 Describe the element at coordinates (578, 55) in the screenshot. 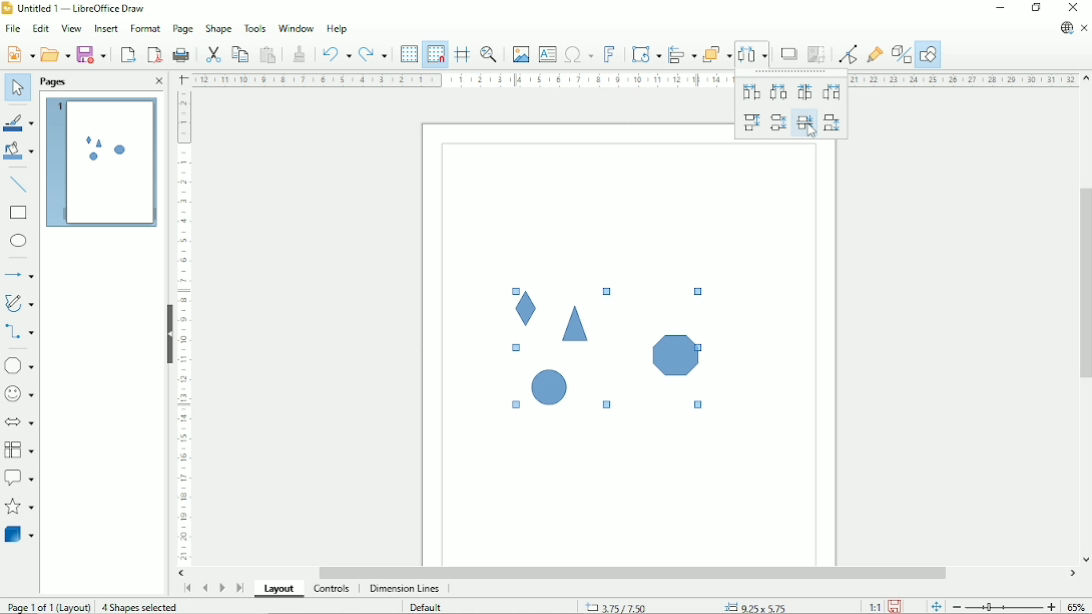

I see `Insert special characters` at that location.